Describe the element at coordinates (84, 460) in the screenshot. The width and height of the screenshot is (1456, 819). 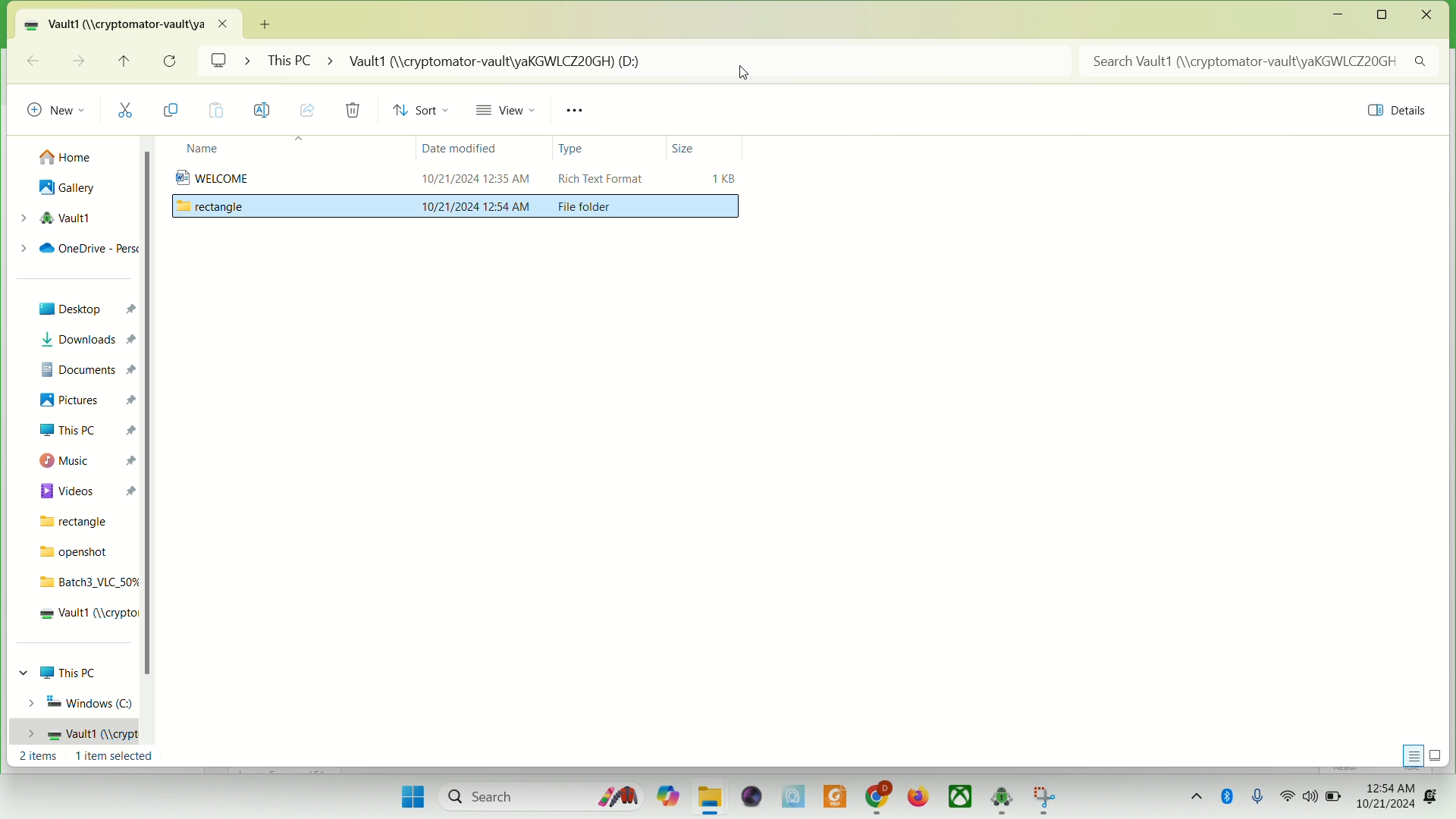
I see `music` at that location.